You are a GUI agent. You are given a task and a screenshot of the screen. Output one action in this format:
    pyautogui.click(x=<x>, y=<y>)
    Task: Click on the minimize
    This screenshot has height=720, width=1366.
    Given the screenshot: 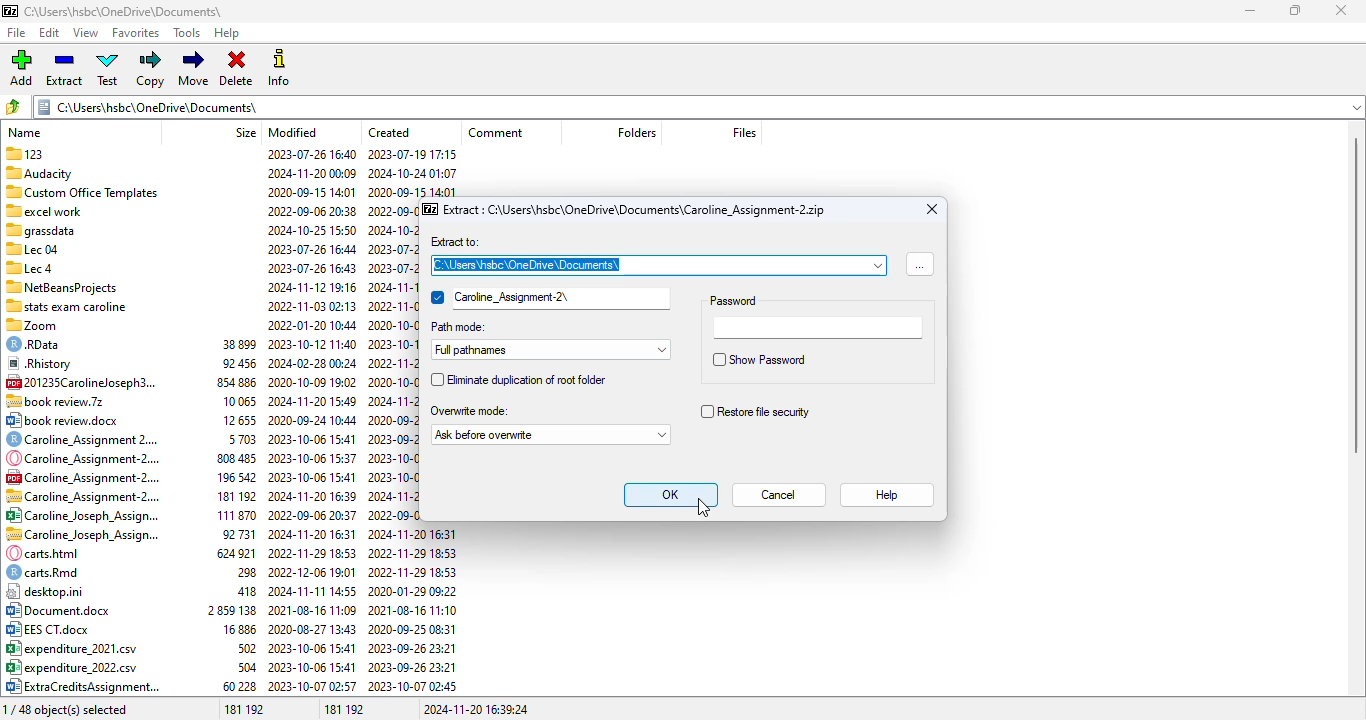 What is the action you would take?
    pyautogui.click(x=1251, y=11)
    